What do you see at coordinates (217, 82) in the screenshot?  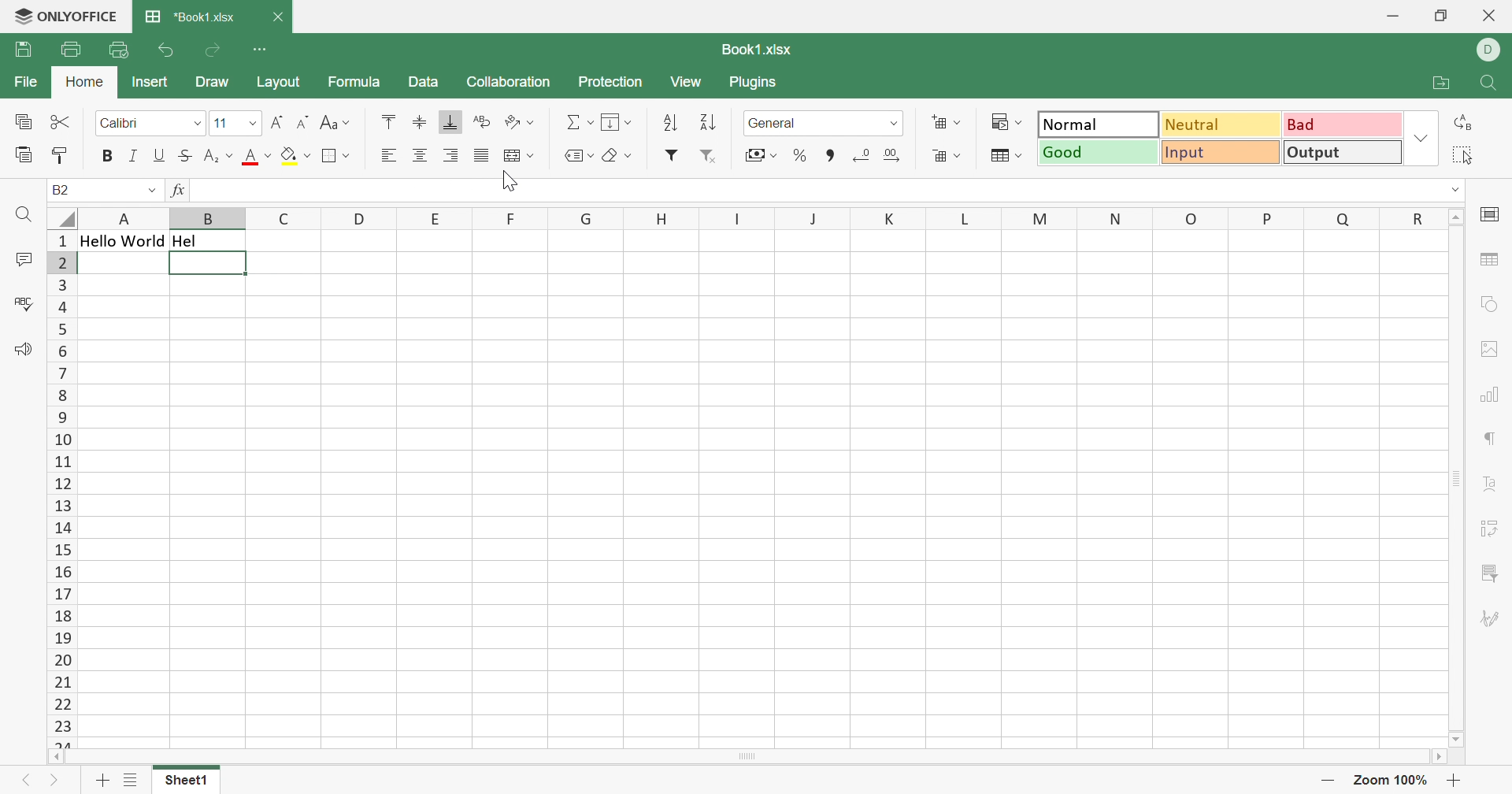 I see `Draw` at bounding box center [217, 82].